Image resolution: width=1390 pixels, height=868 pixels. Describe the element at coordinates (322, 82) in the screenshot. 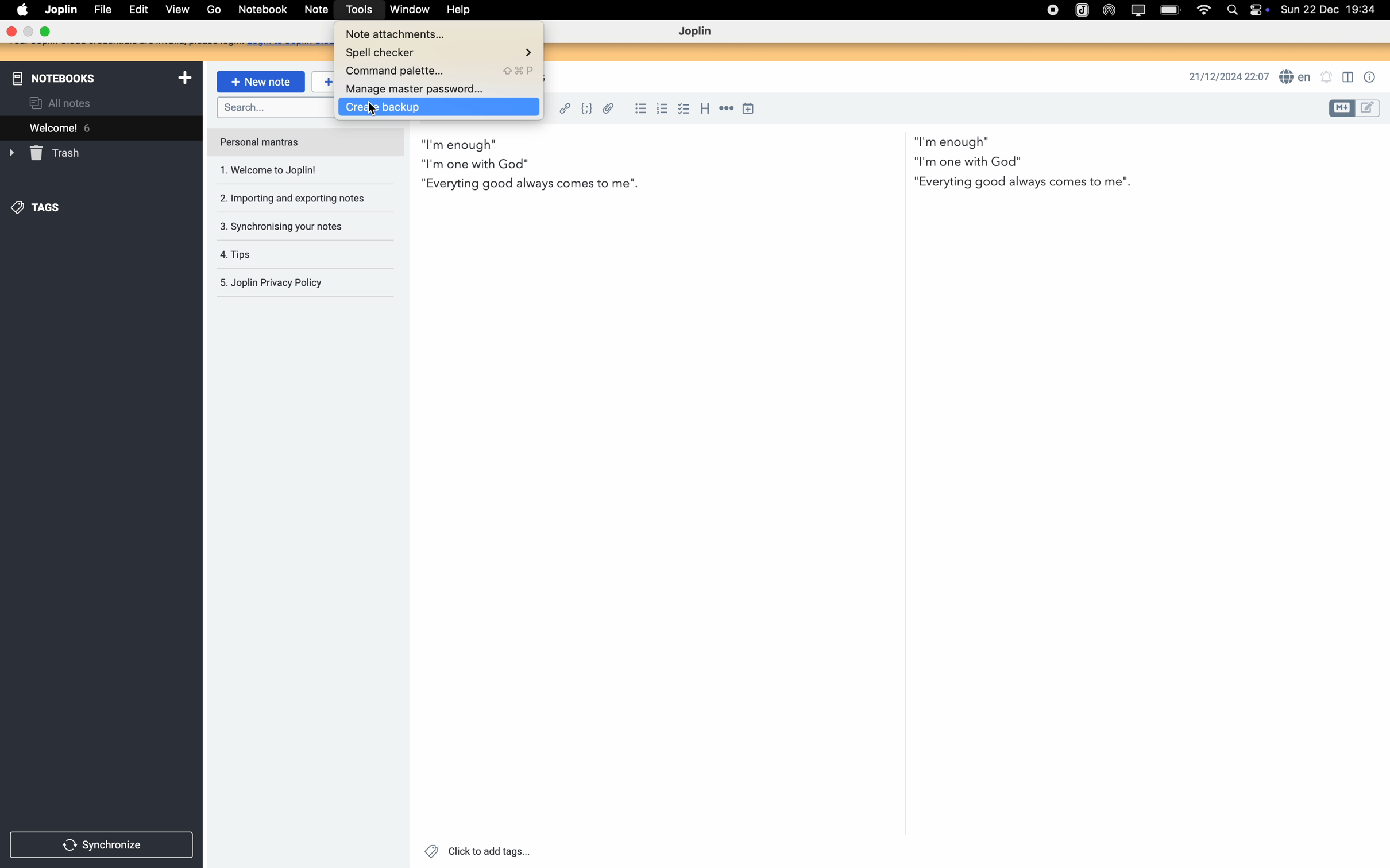

I see `new to-do` at that location.